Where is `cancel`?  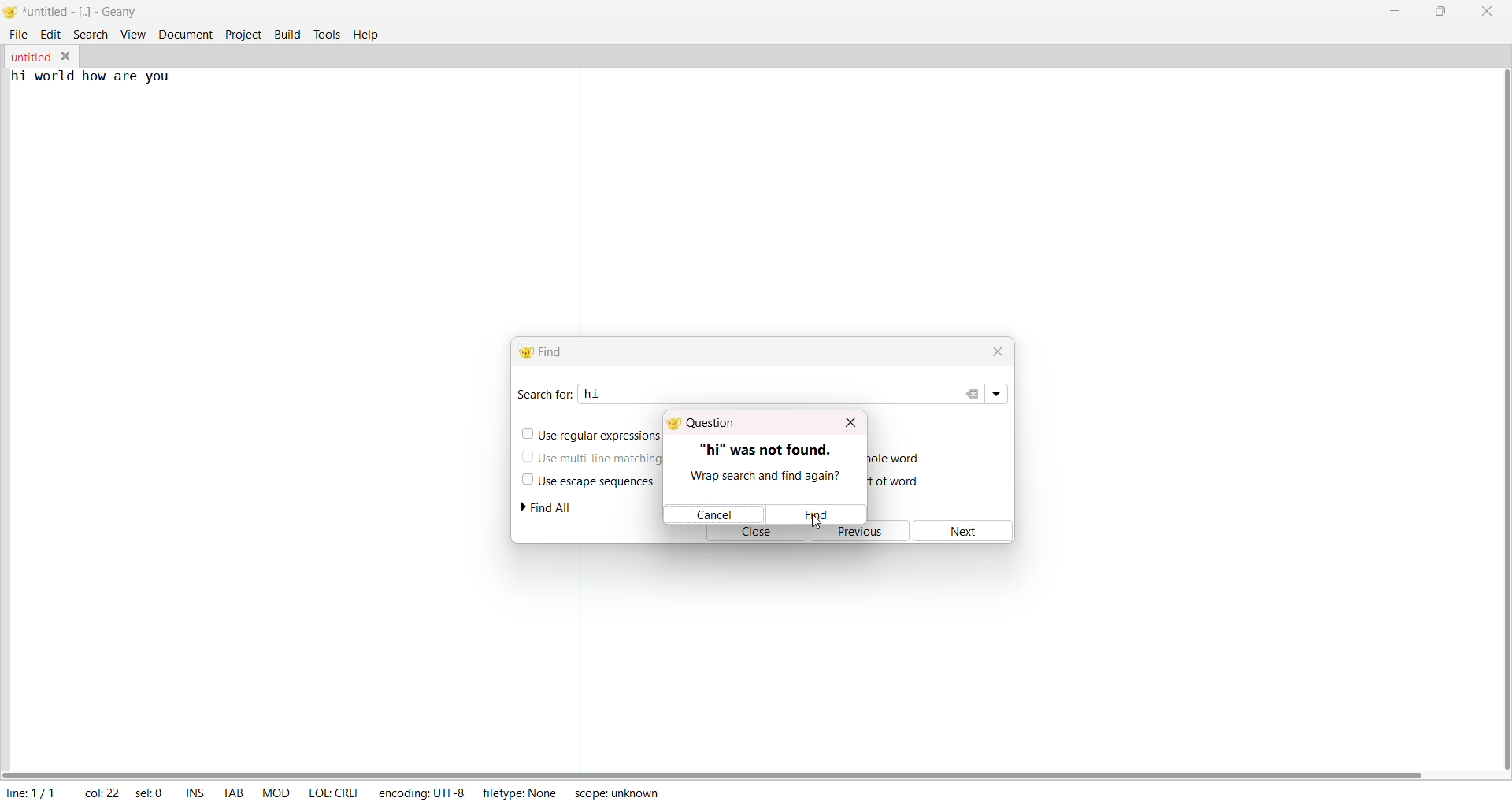
cancel is located at coordinates (710, 514).